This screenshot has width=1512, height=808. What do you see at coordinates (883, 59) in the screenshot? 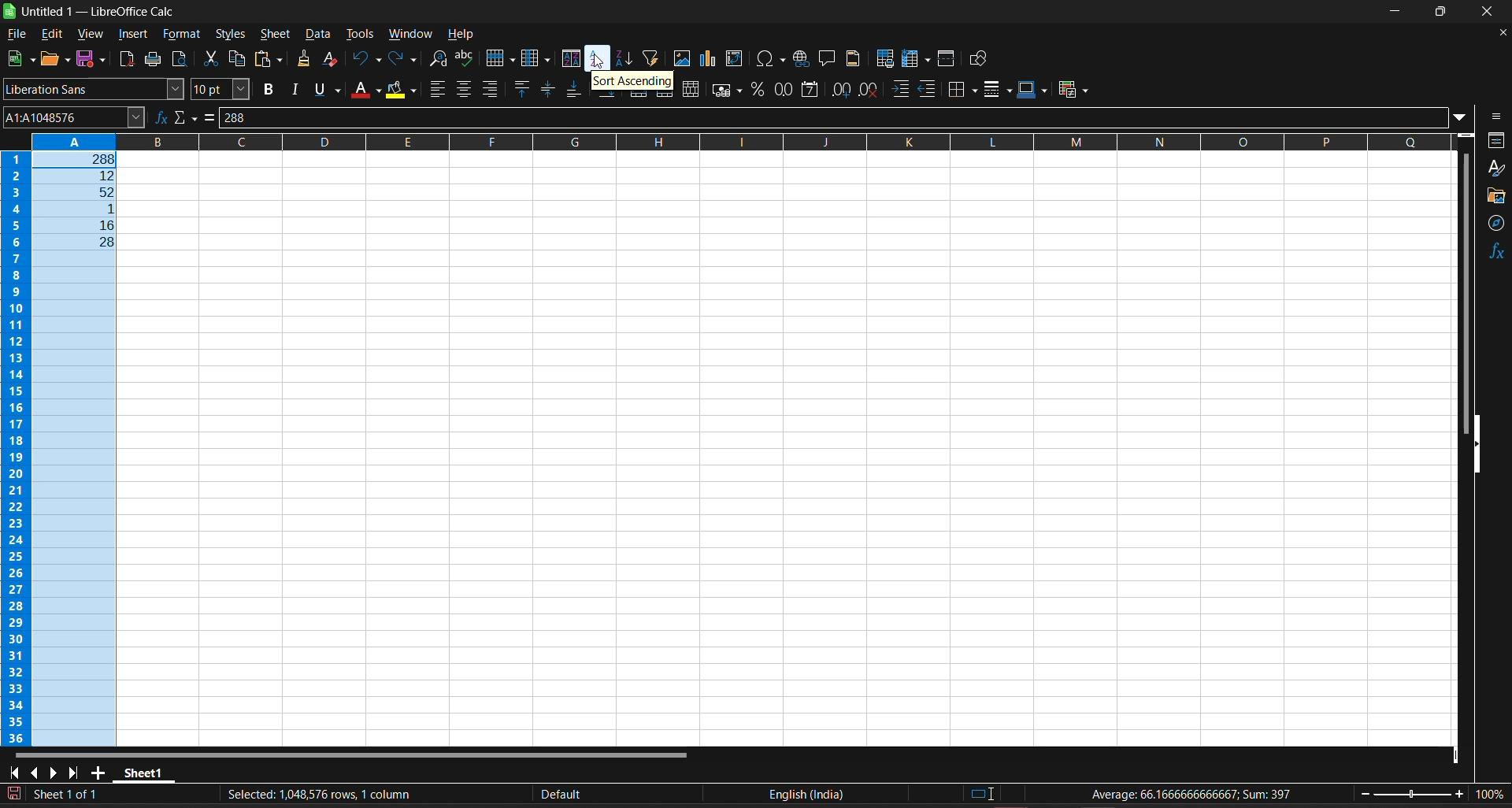
I see `define print area` at bounding box center [883, 59].